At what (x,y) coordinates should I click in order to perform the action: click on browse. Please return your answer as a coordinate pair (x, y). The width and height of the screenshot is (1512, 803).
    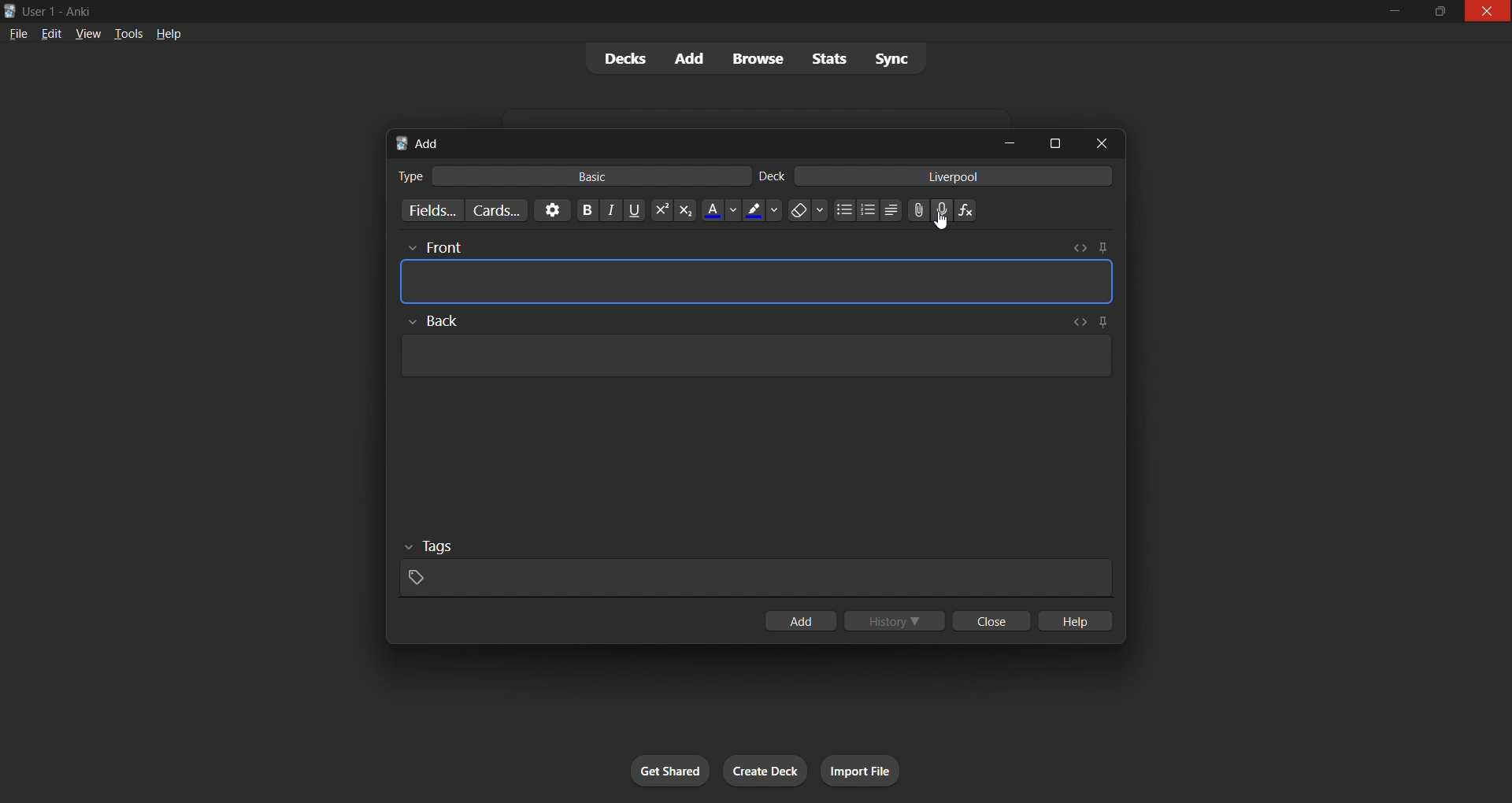
    Looking at the image, I should click on (762, 57).